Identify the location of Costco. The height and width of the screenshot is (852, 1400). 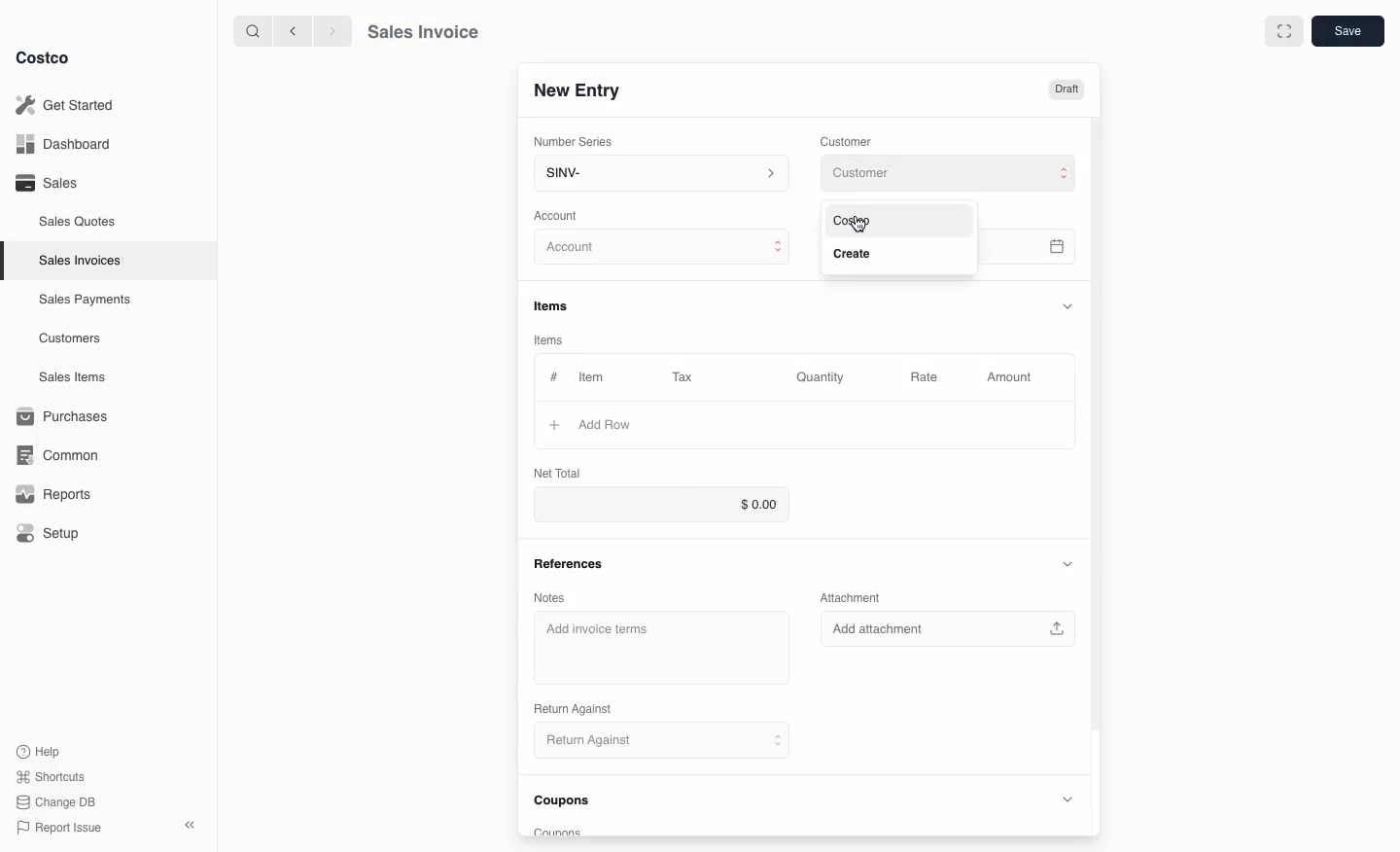
(857, 220).